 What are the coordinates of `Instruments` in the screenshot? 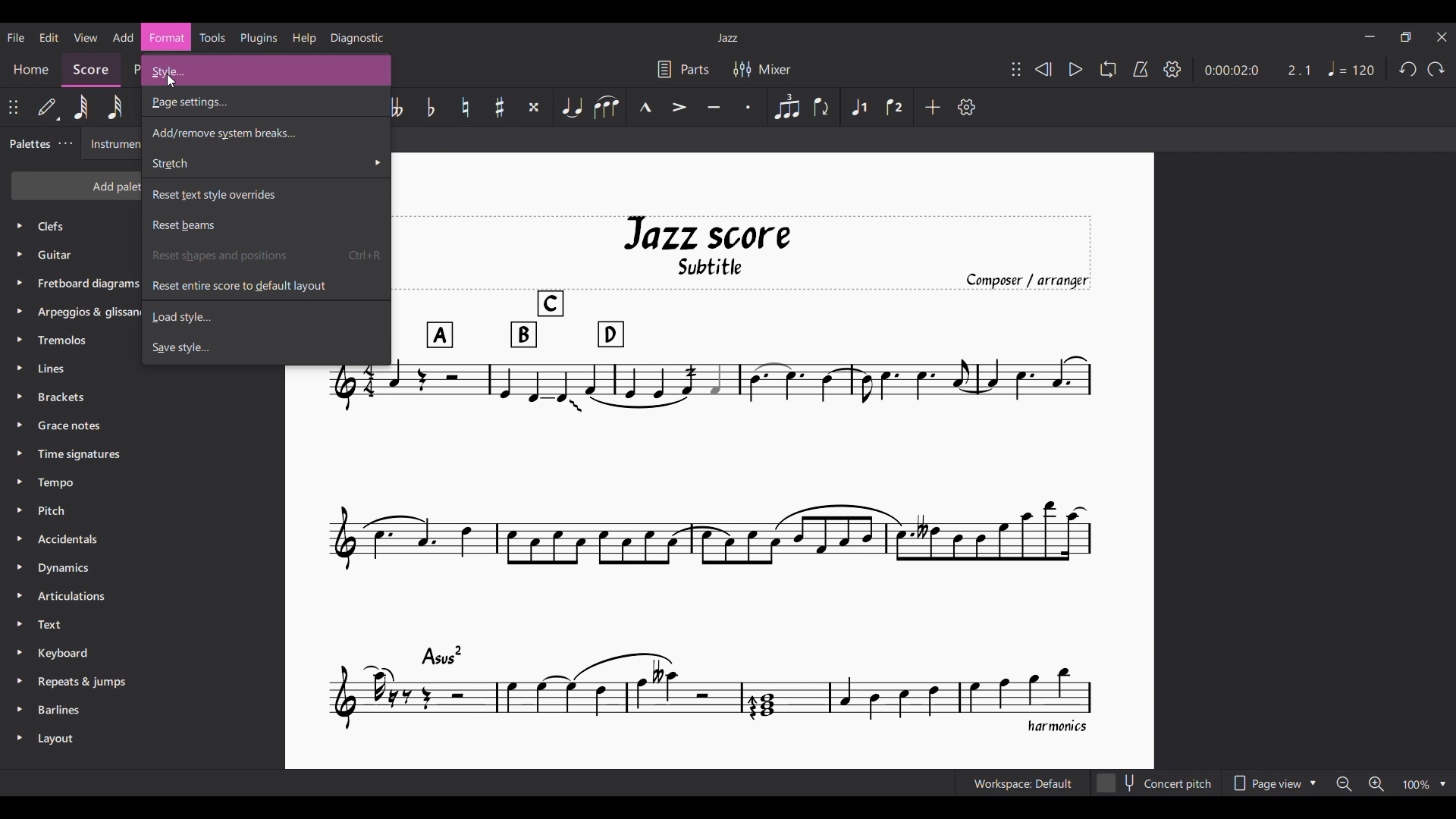 It's located at (113, 145).